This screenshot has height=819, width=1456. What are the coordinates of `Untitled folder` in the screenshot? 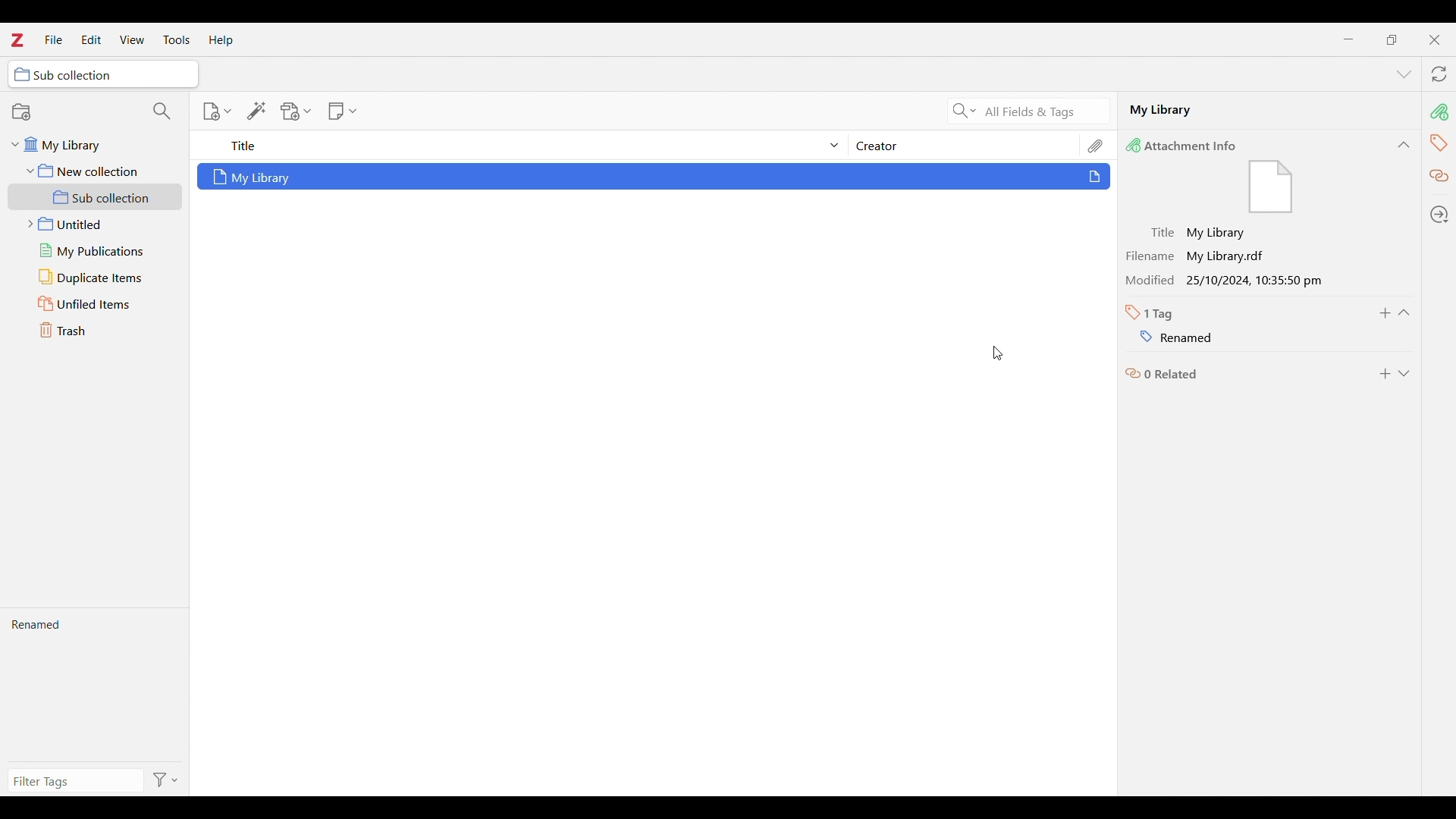 It's located at (92, 222).